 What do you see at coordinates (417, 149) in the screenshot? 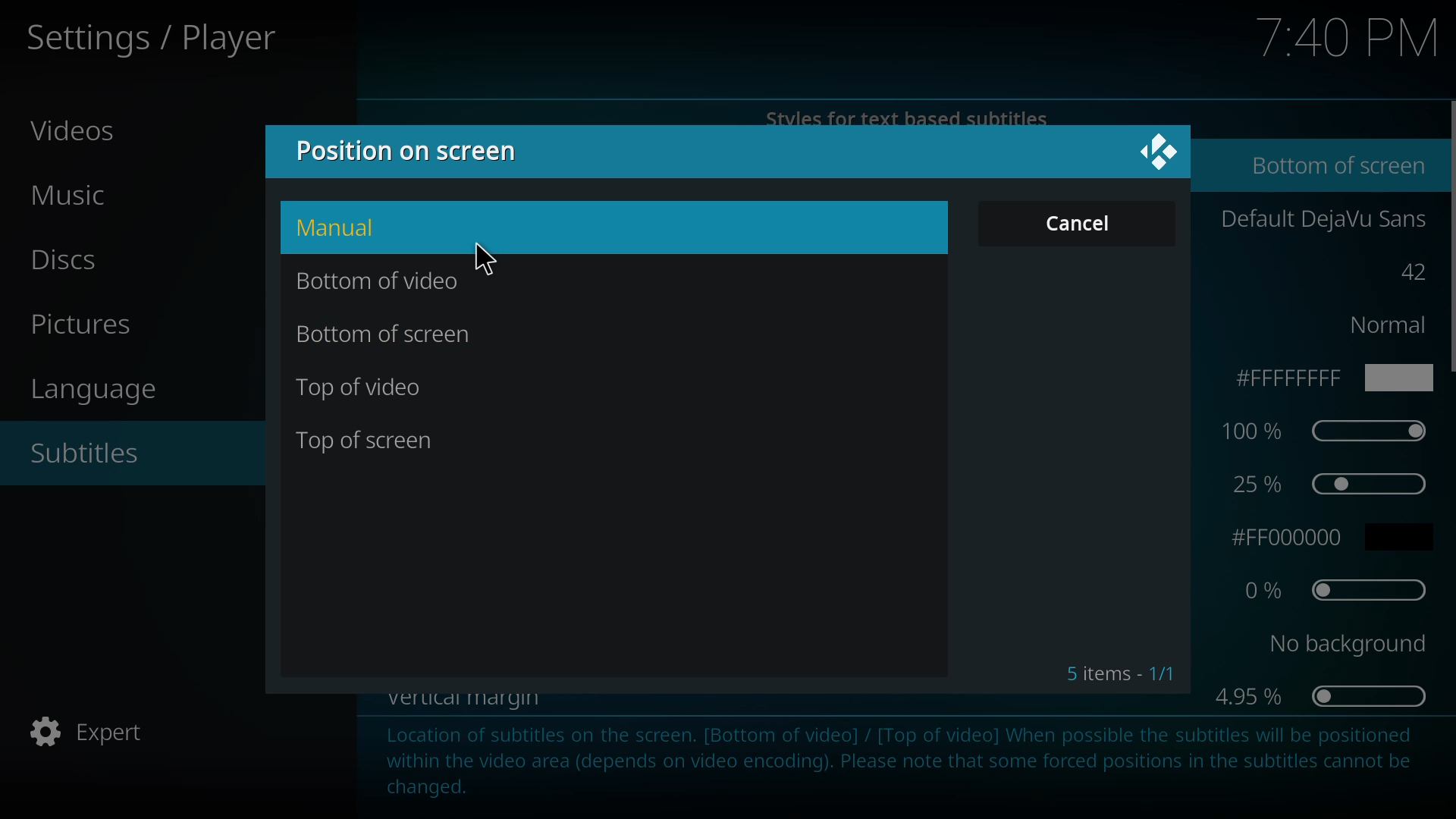
I see `position` at bounding box center [417, 149].